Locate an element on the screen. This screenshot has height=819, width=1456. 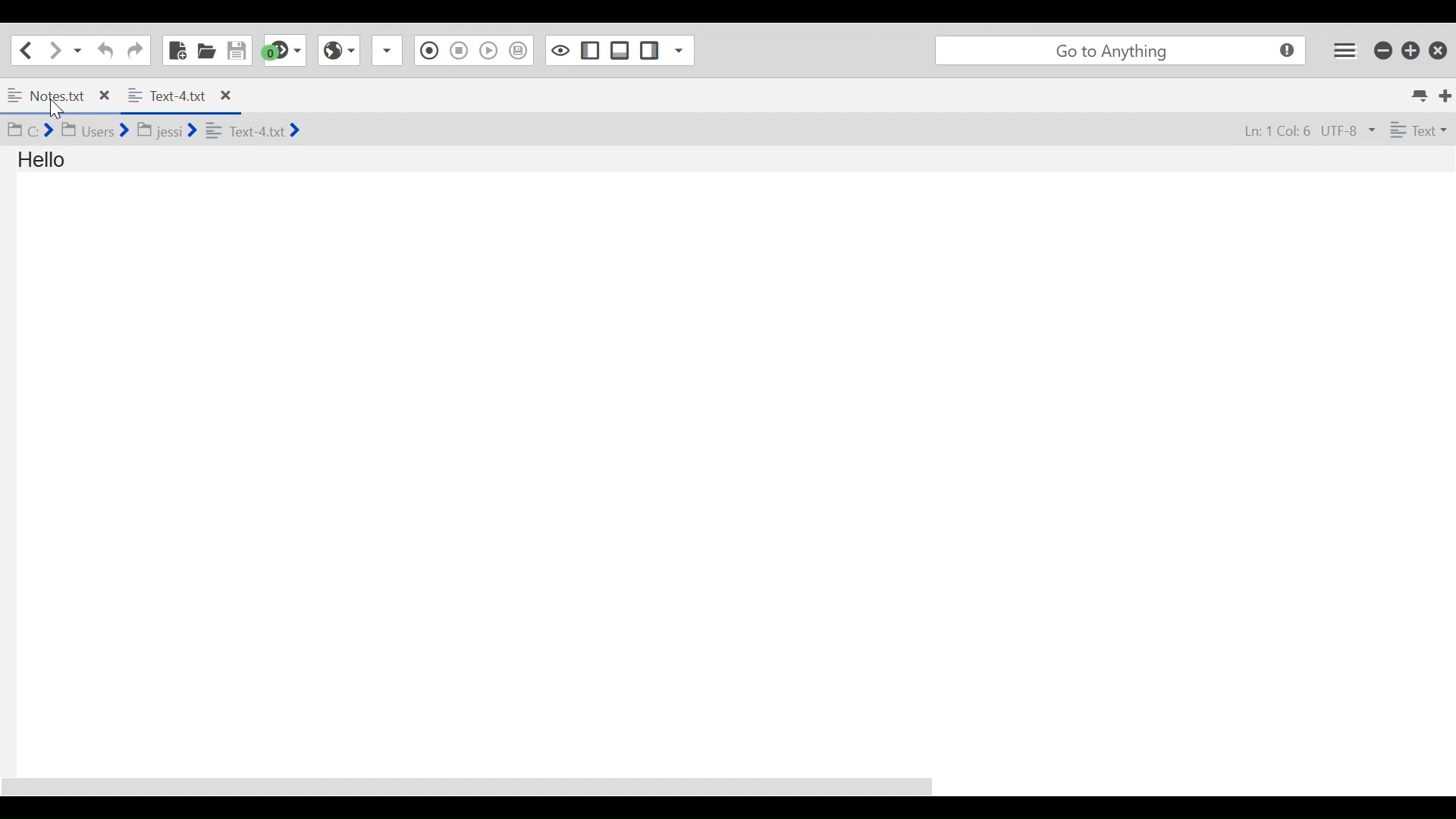
go to anything is located at coordinates (1118, 50).